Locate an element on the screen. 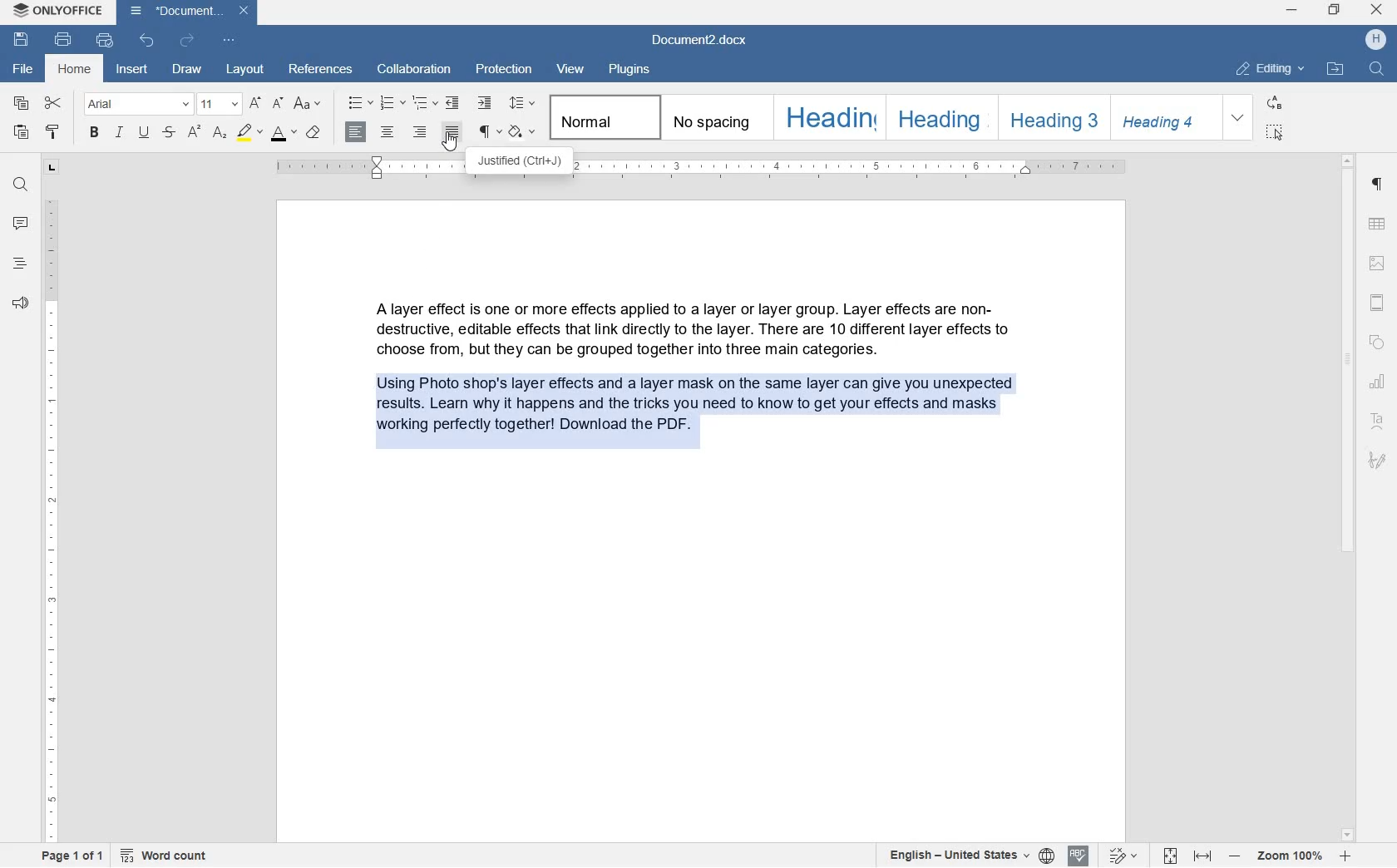  TABLE is located at coordinates (1378, 223).